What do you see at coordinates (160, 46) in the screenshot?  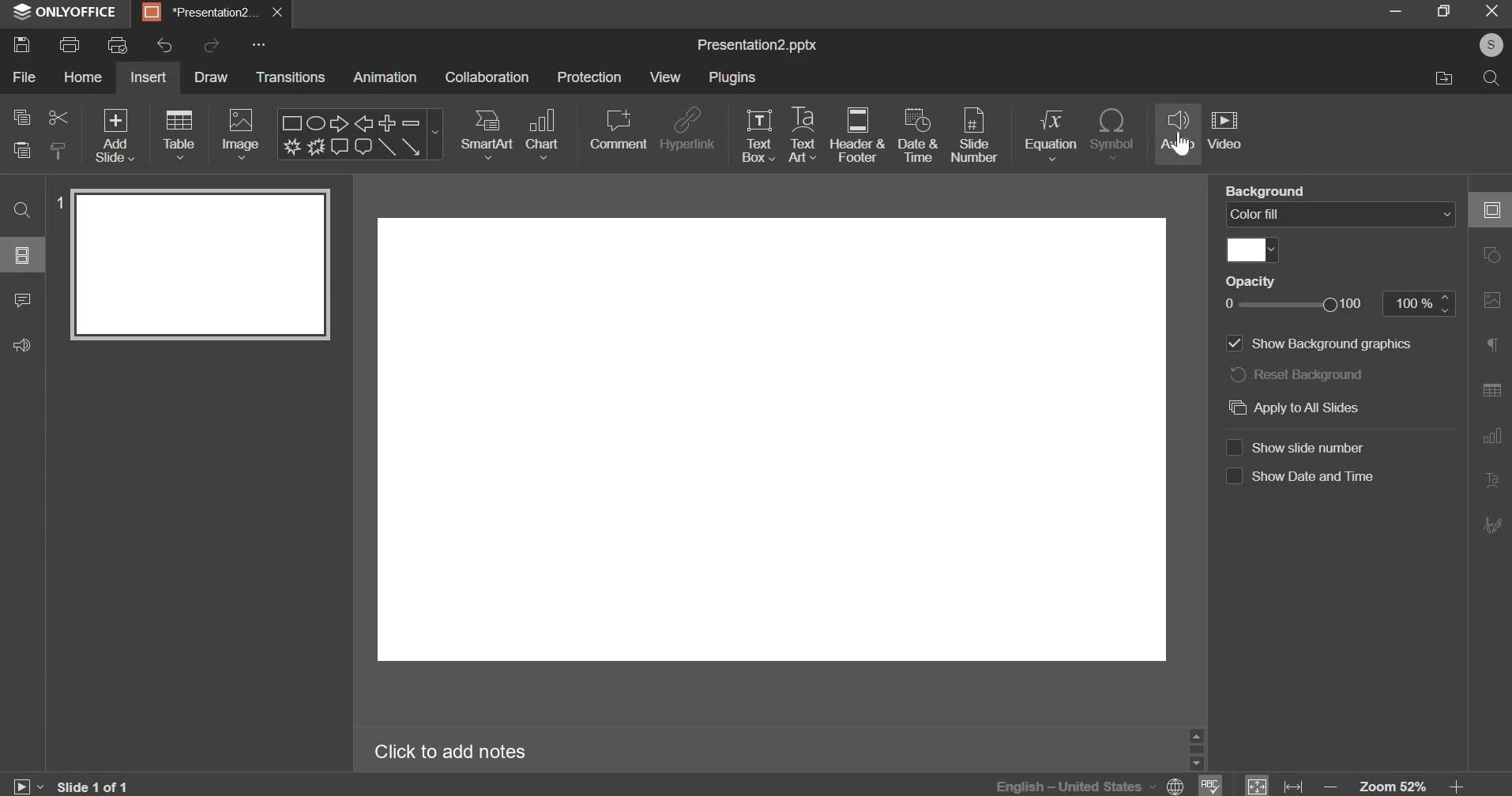 I see `undo` at bounding box center [160, 46].